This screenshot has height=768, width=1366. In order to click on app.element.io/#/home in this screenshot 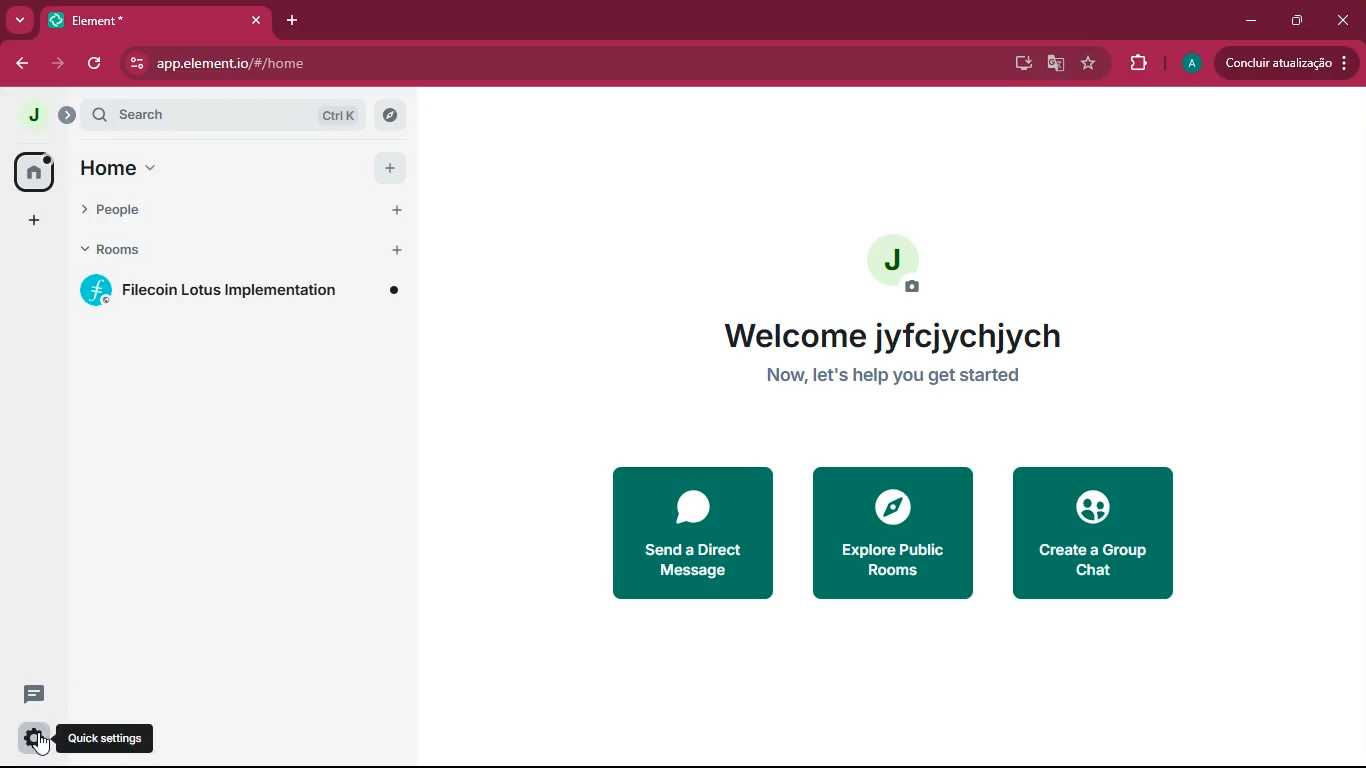, I will do `click(342, 62)`.